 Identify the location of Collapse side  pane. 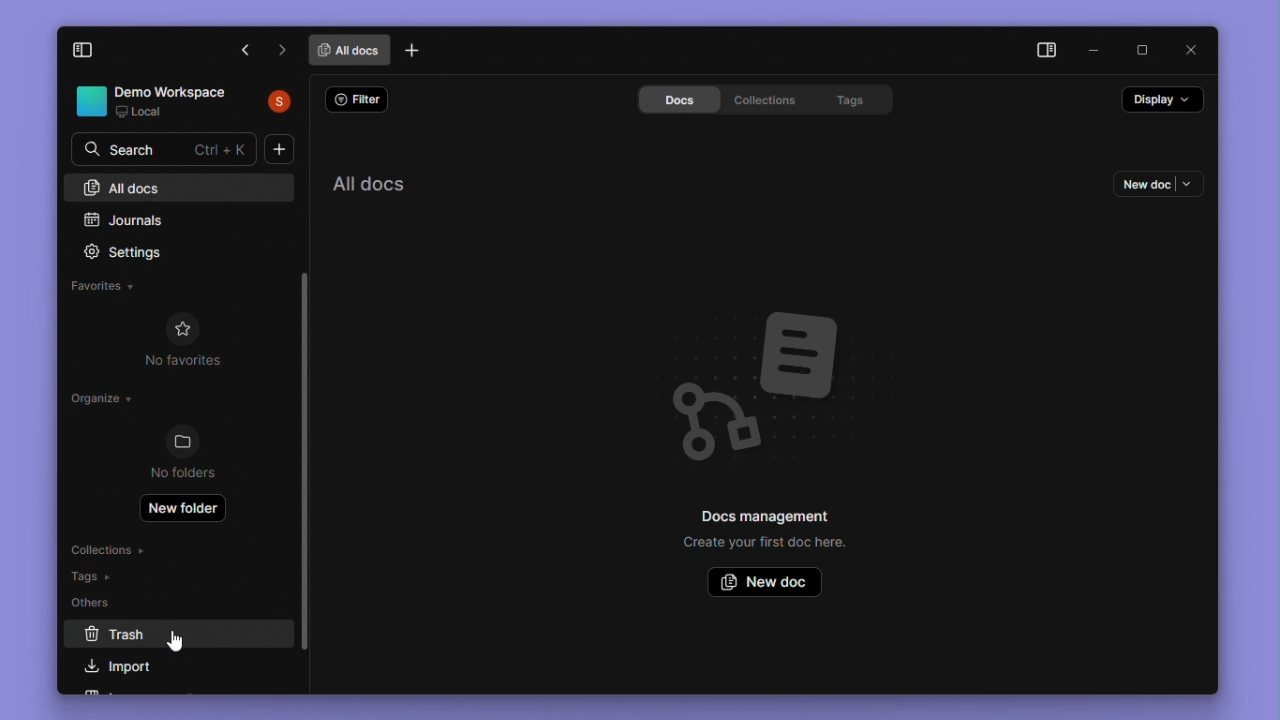
(82, 52).